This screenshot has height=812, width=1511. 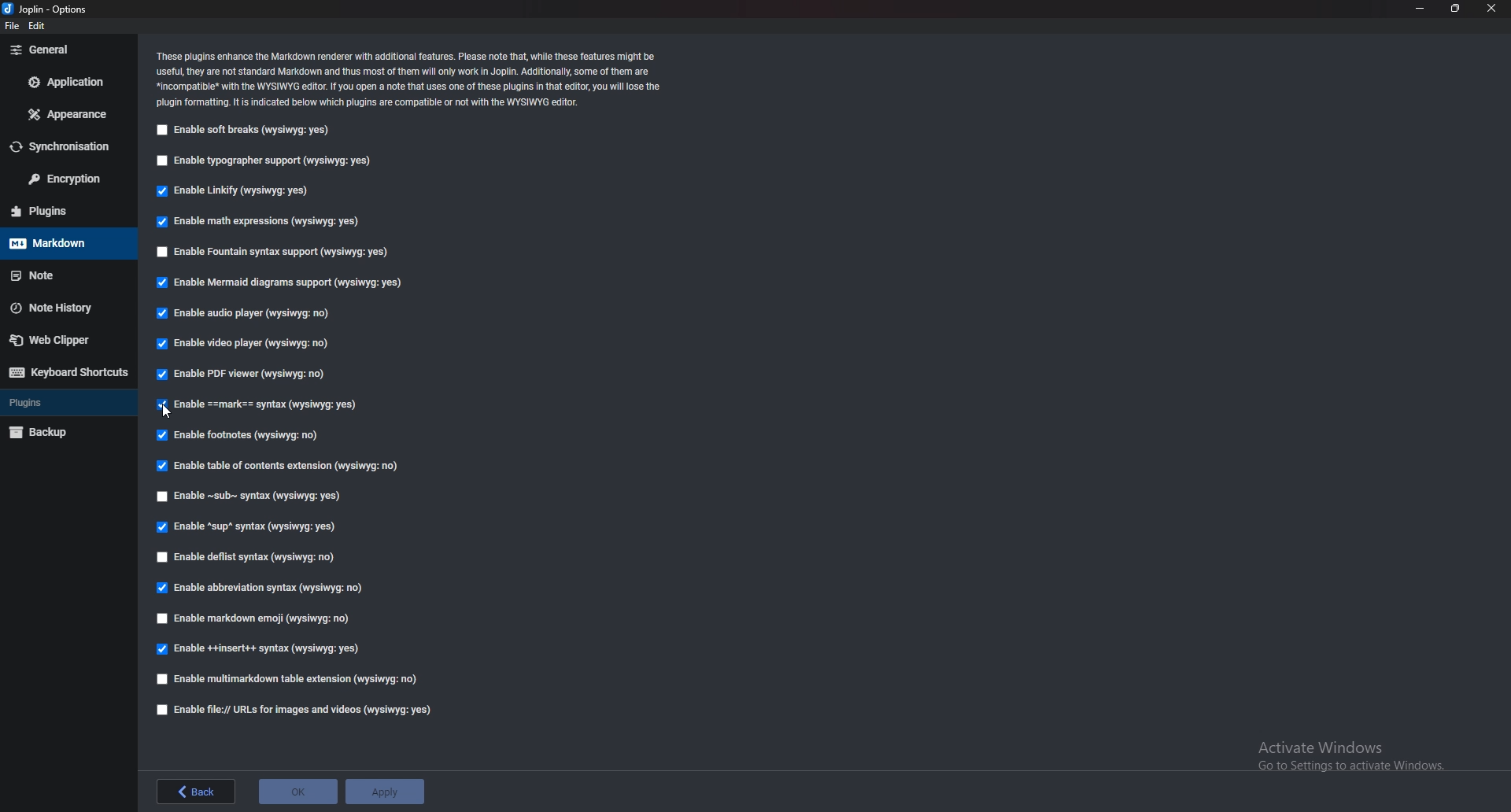 I want to click on Minimize, so click(x=1419, y=8).